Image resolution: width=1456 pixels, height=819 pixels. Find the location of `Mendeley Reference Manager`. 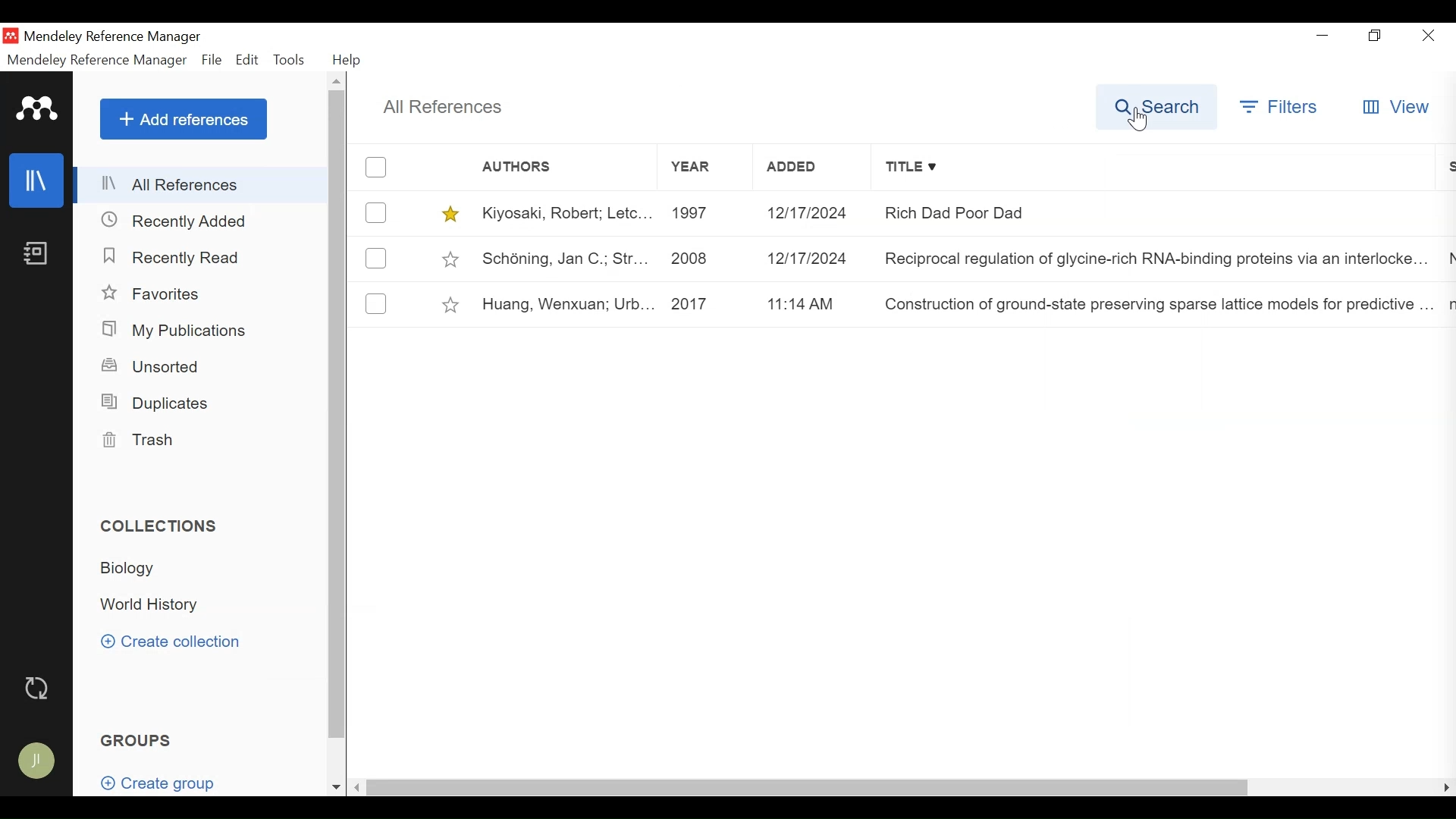

Mendeley Reference Manager is located at coordinates (137, 37).